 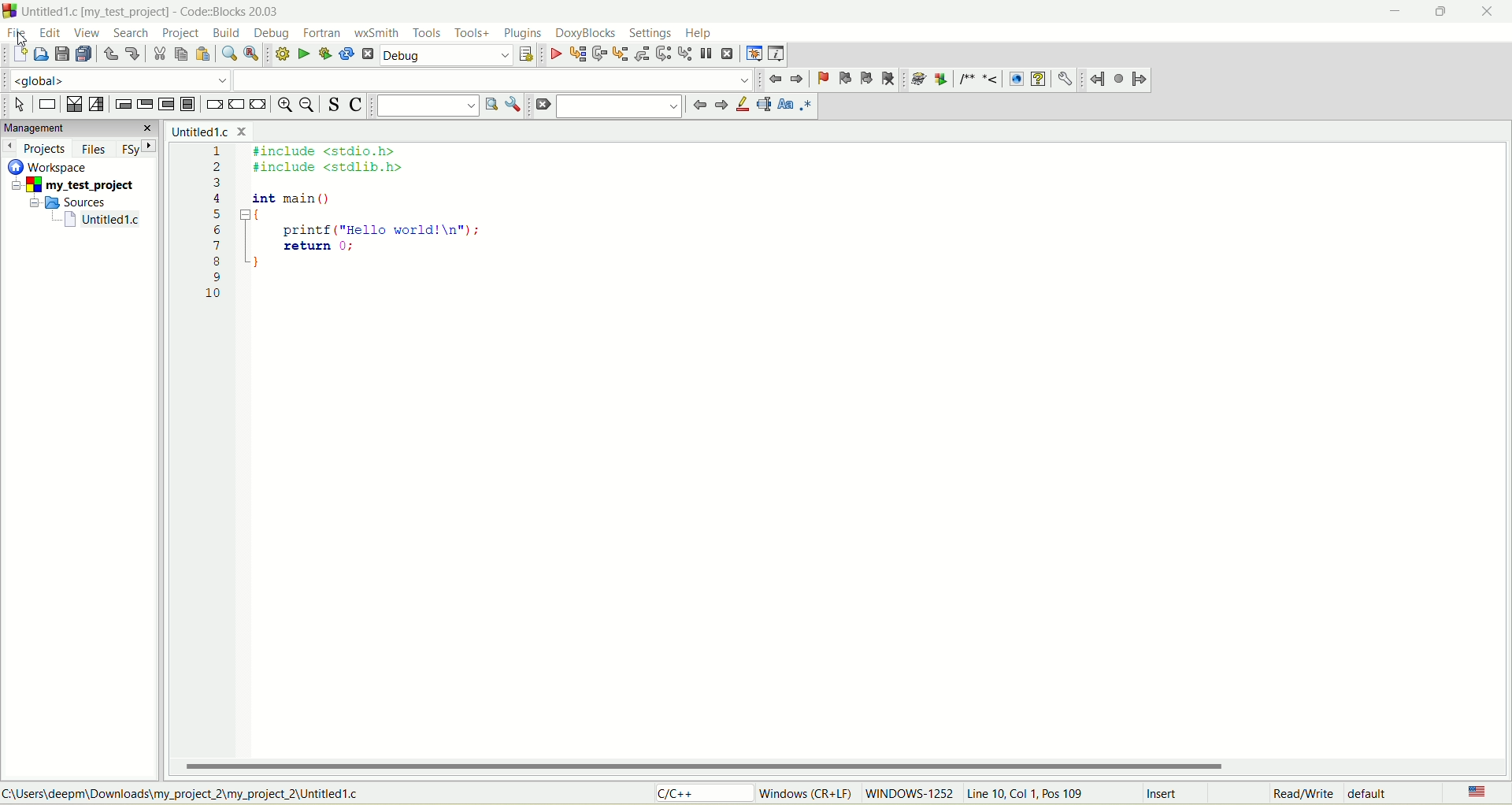 What do you see at coordinates (787, 104) in the screenshot?
I see `match case` at bounding box center [787, 104].